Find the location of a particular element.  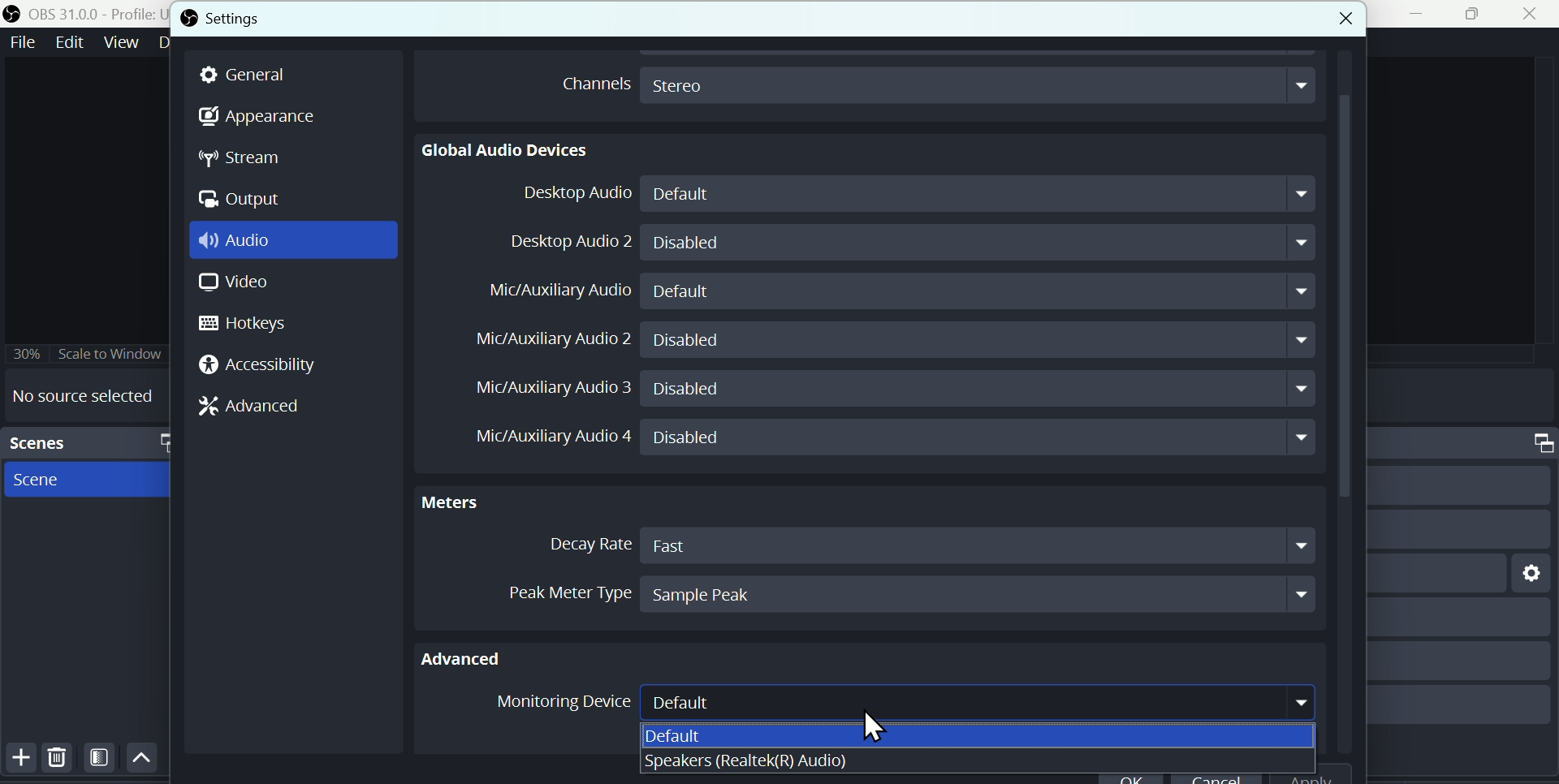

Video is located at coordinates (230, 285).